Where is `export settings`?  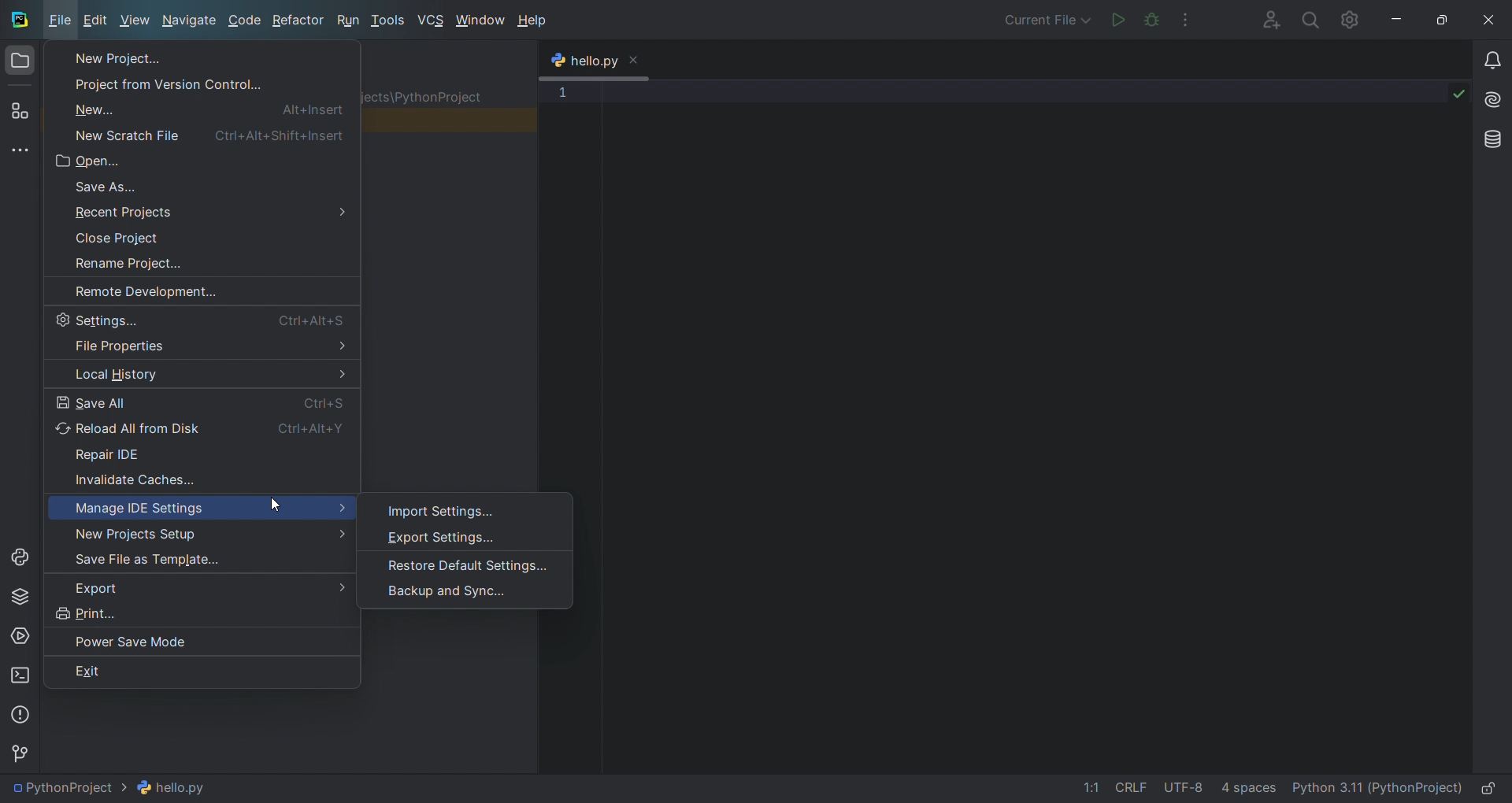
export settings is located at coordinates (450, 537).